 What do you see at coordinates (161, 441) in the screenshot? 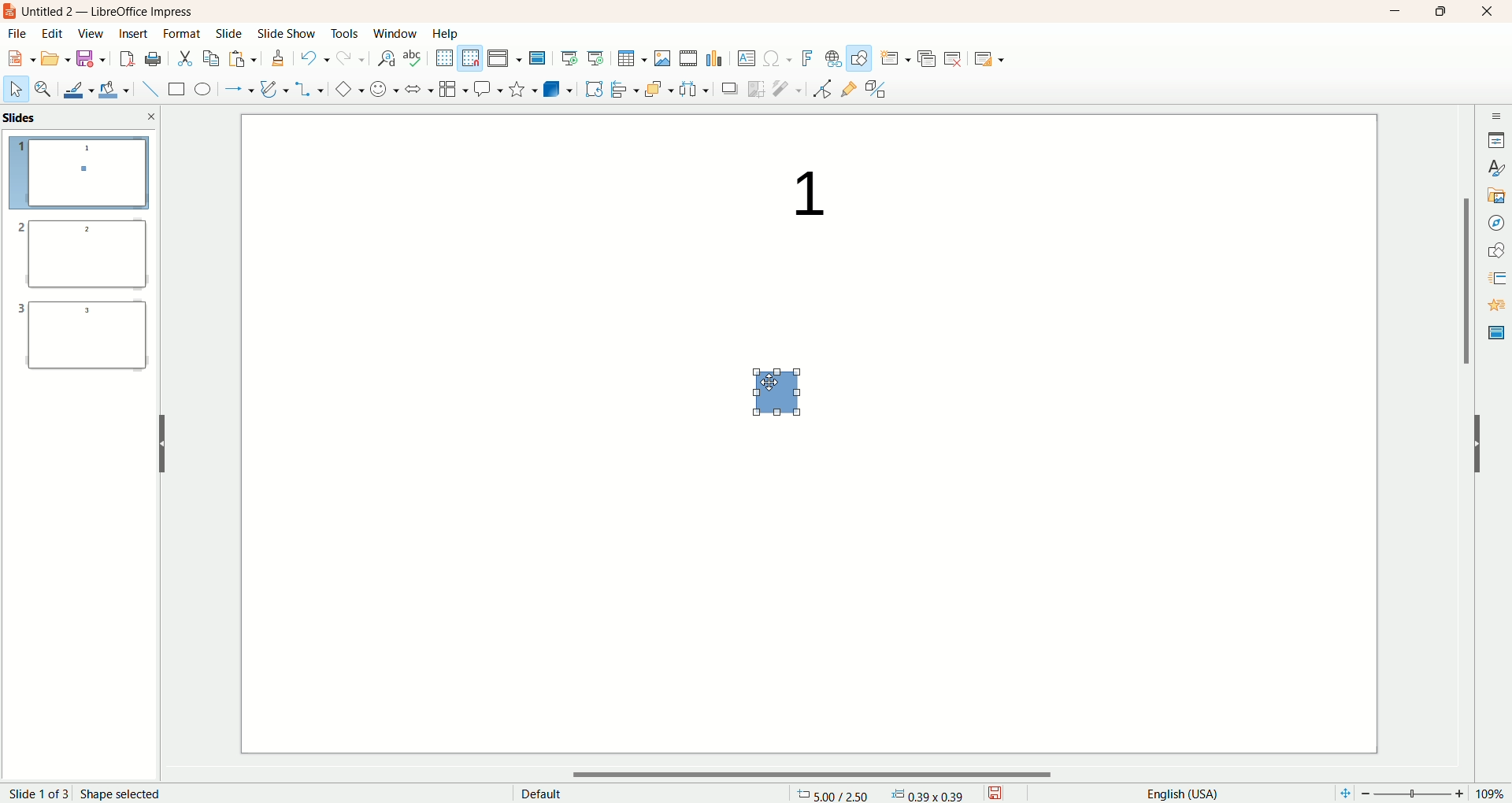
I see `hide` at bounding box center [161, 441].